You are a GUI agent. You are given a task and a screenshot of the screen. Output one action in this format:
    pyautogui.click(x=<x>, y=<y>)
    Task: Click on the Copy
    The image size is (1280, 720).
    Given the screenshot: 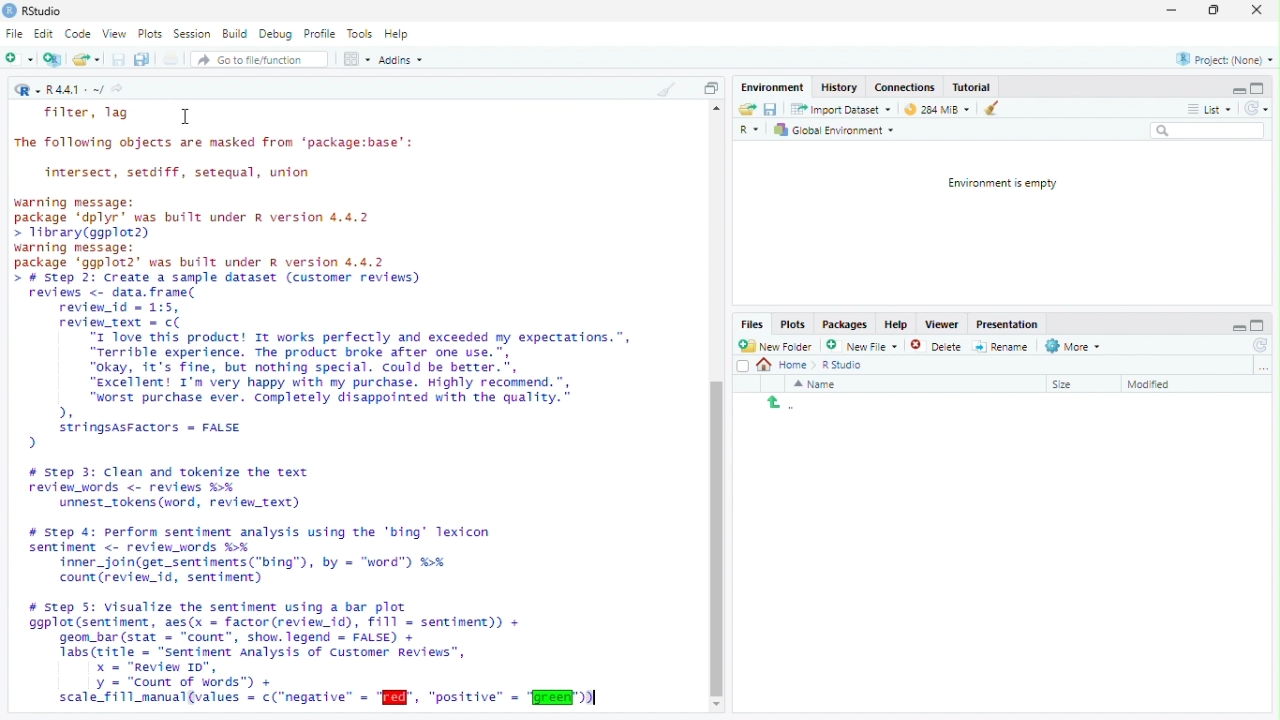 What is the action you would take?
    pyautogui.click(x=711, y=87)
    